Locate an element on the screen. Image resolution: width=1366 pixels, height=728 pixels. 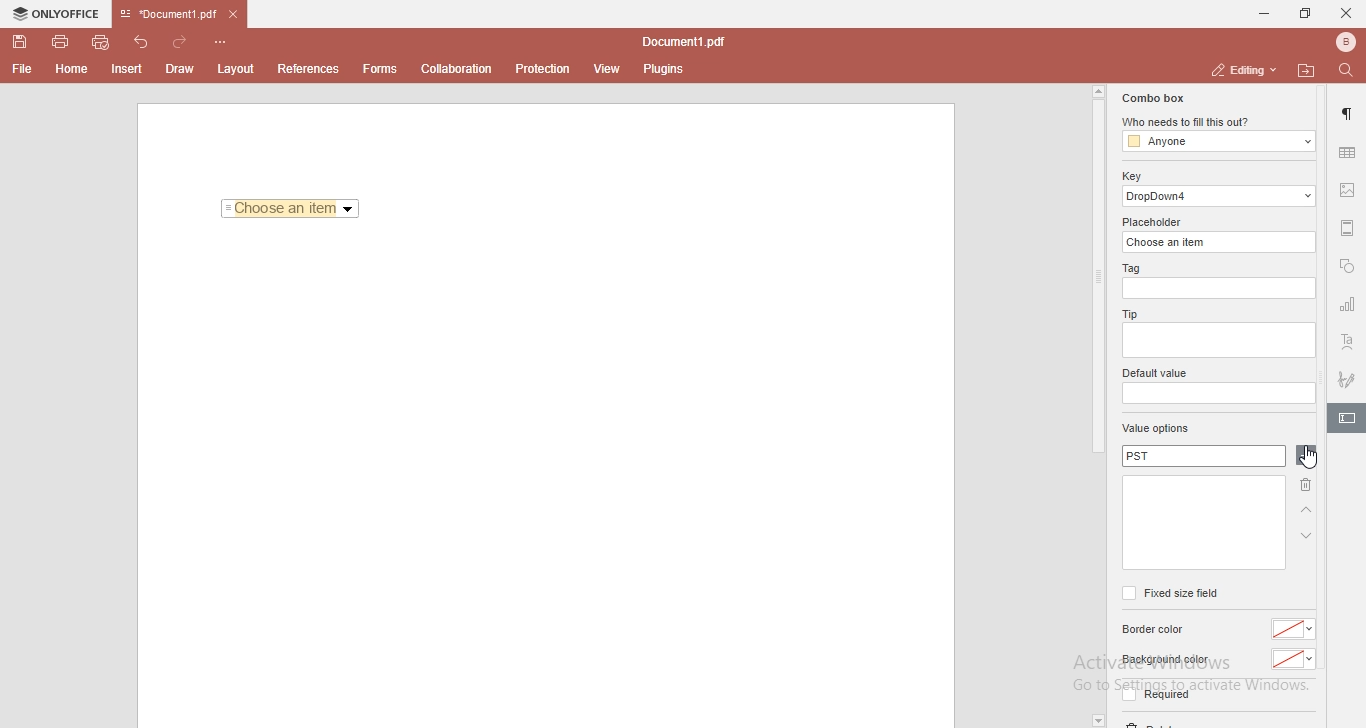
close is located at coordinates (1346, 12).